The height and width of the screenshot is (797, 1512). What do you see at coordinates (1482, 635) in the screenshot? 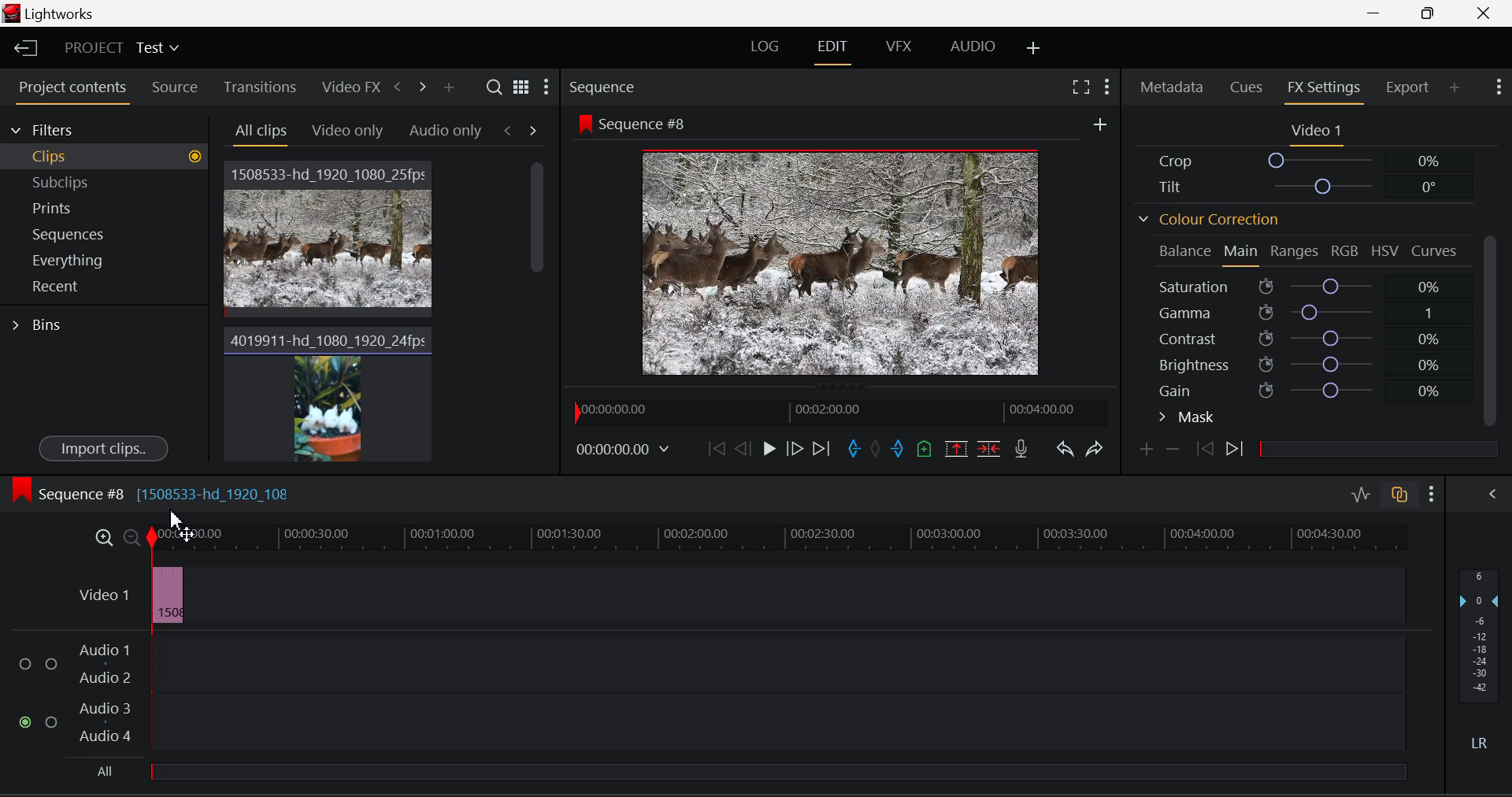
I see `Decibel Level` at bounding box center [1482, 635].